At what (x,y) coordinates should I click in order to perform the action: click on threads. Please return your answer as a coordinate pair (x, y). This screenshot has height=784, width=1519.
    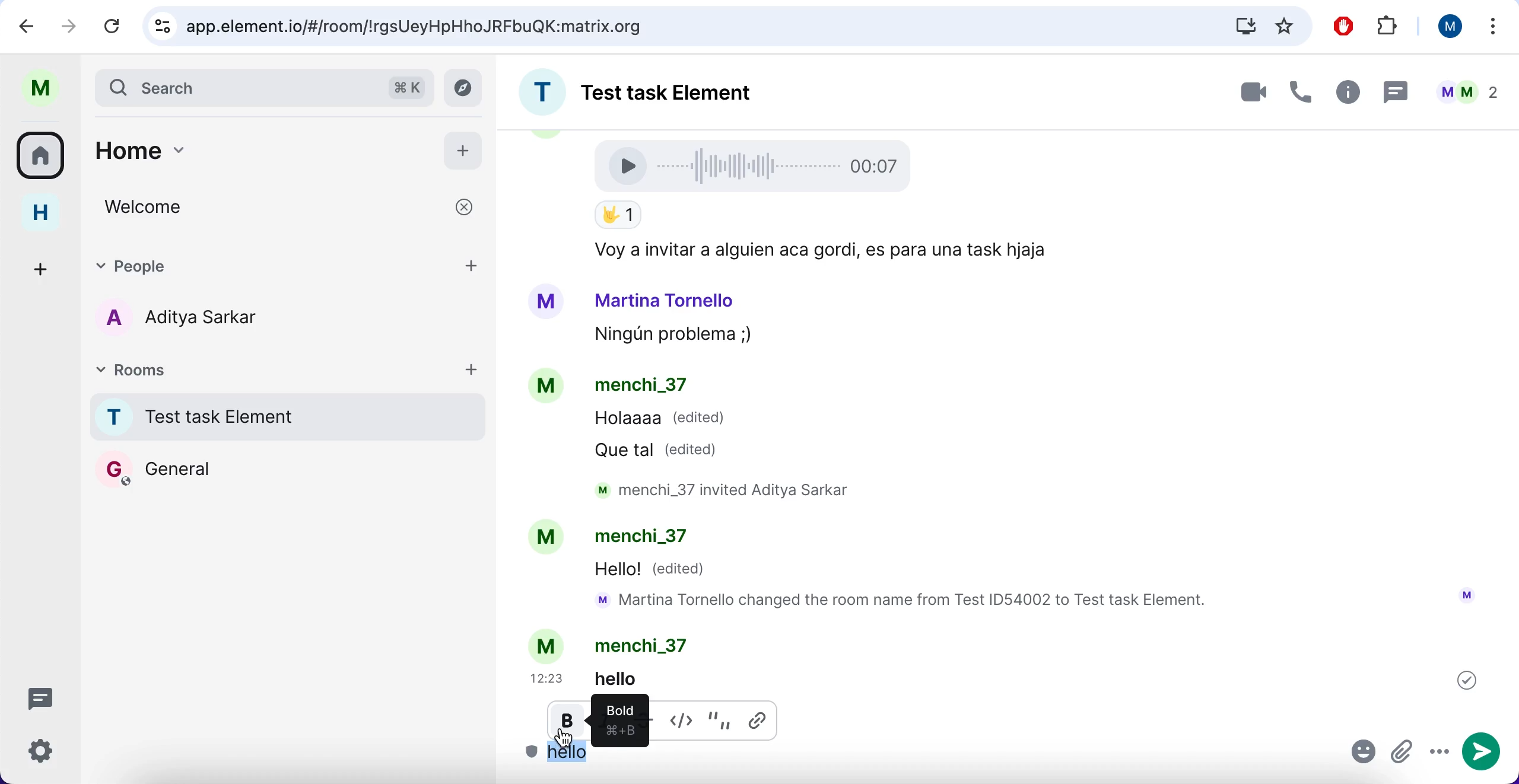
    Looking at the image, I should click on (47, 697).